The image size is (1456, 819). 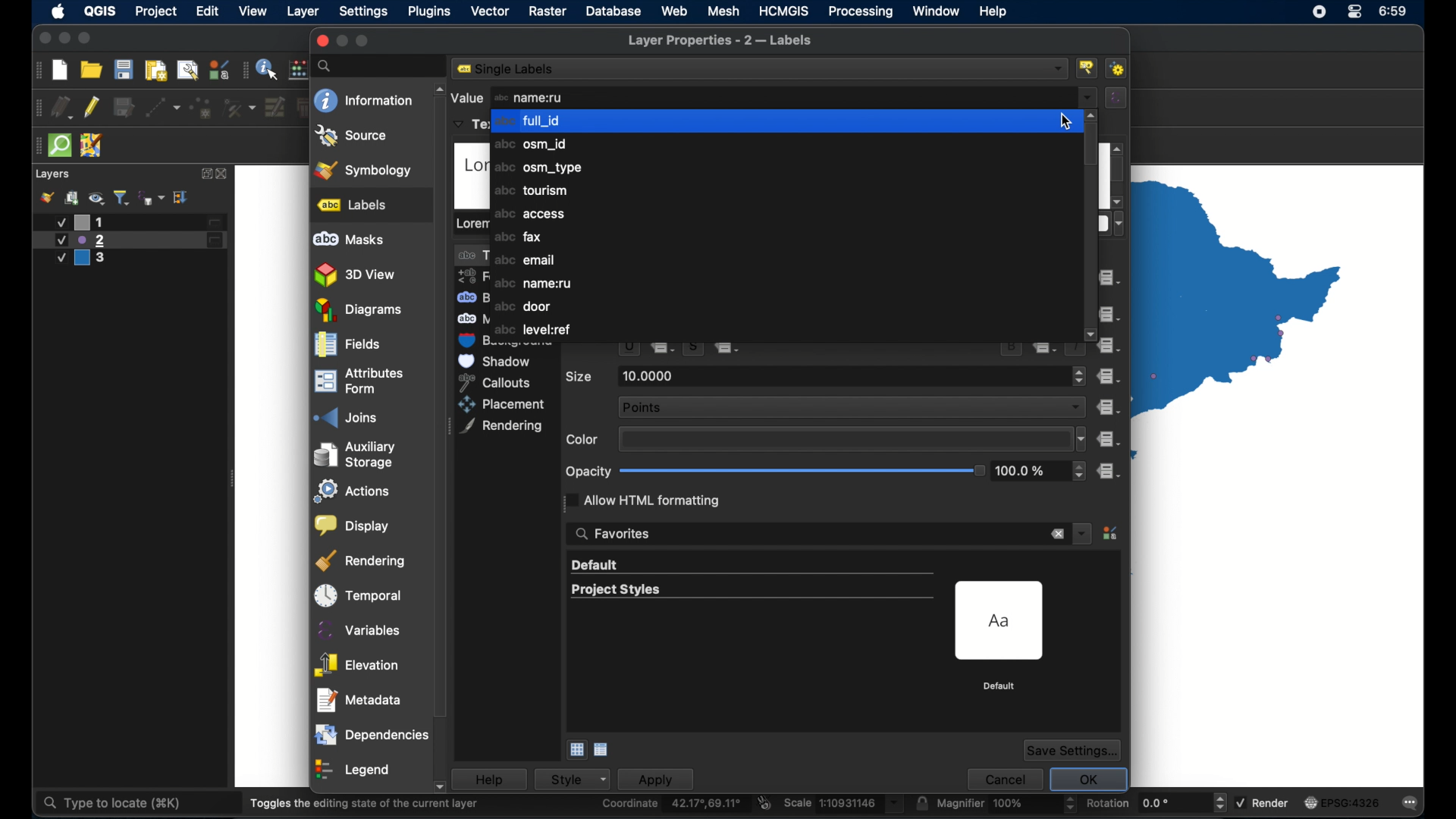 I want to click on fields, so click(x=347, y=345).